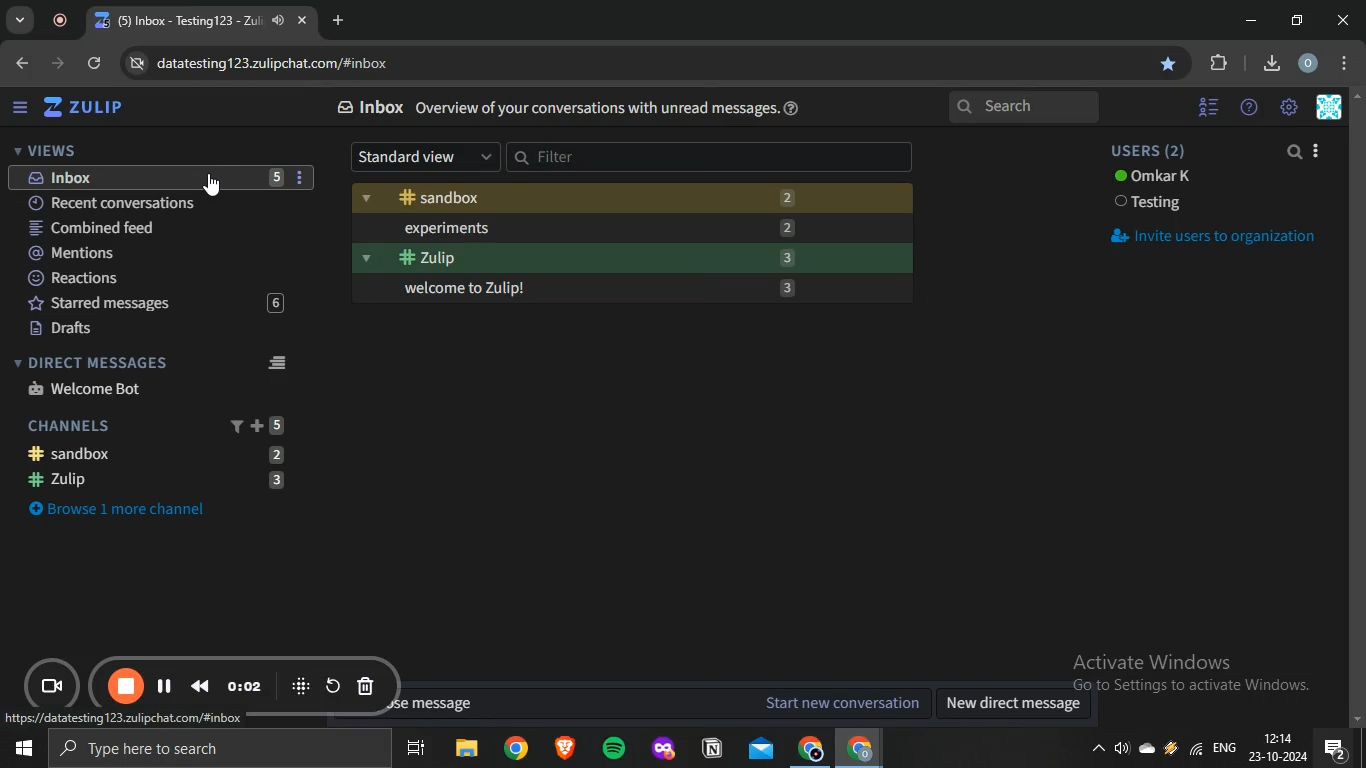 The image size is (1366, 768). Describe the element at coordinates (20, 108) in the screenshot. I see `sidebar` at that location.